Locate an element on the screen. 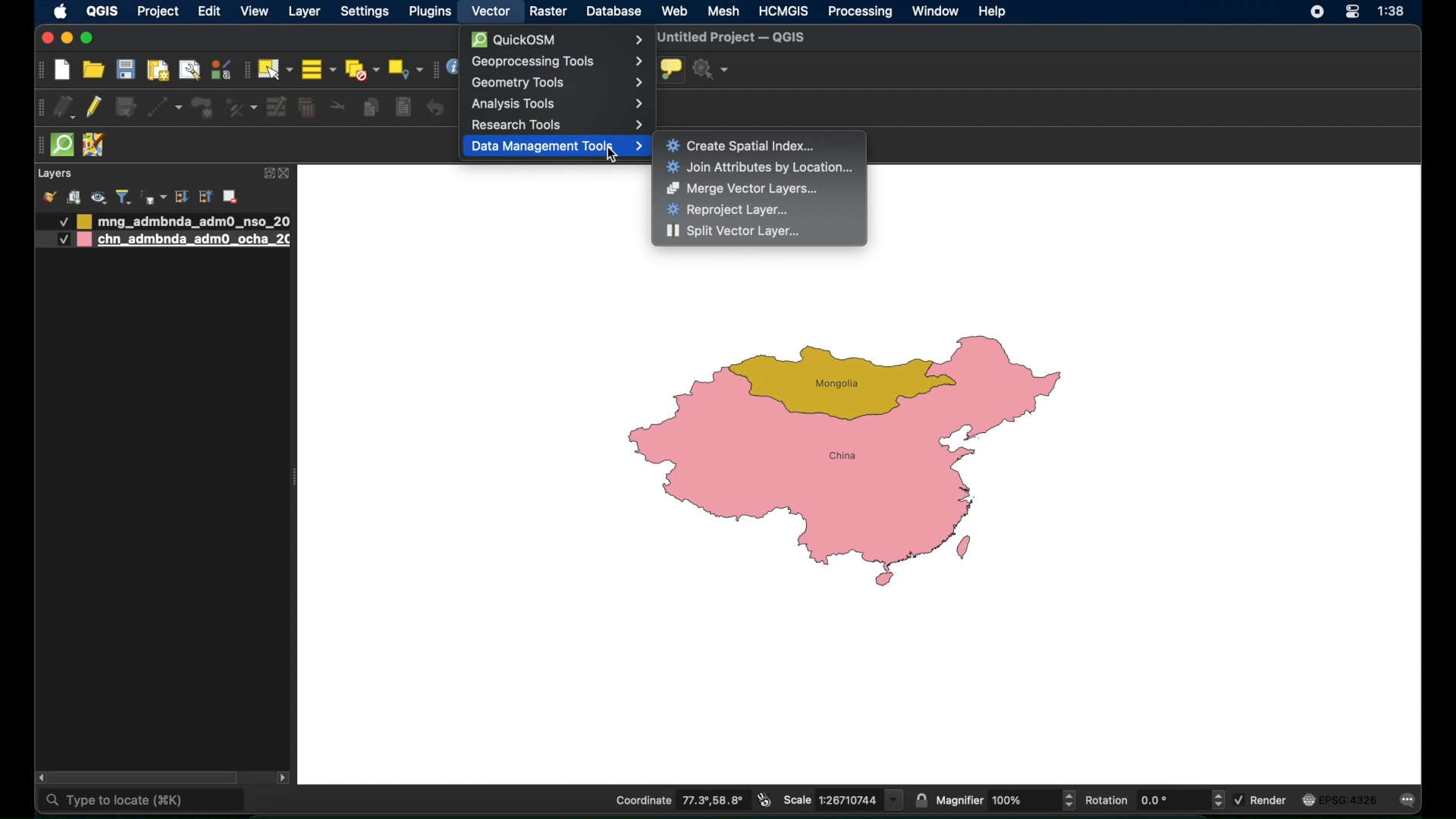 This screenshot has width=1456, height=819. EPSG: 4326 is located at coordinates (1339, 799).